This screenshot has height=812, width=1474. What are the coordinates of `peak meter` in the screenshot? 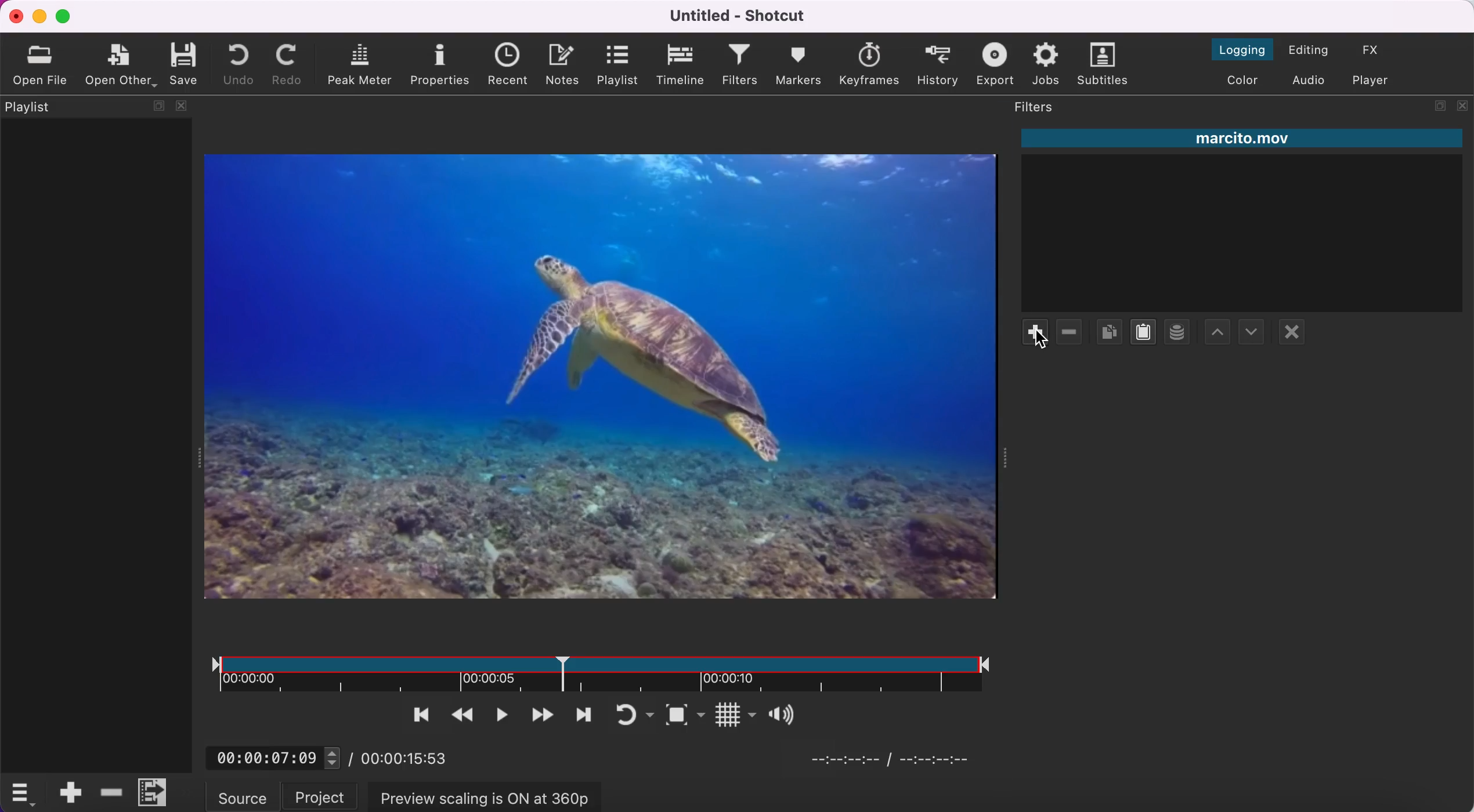 It's located at (357, 65).